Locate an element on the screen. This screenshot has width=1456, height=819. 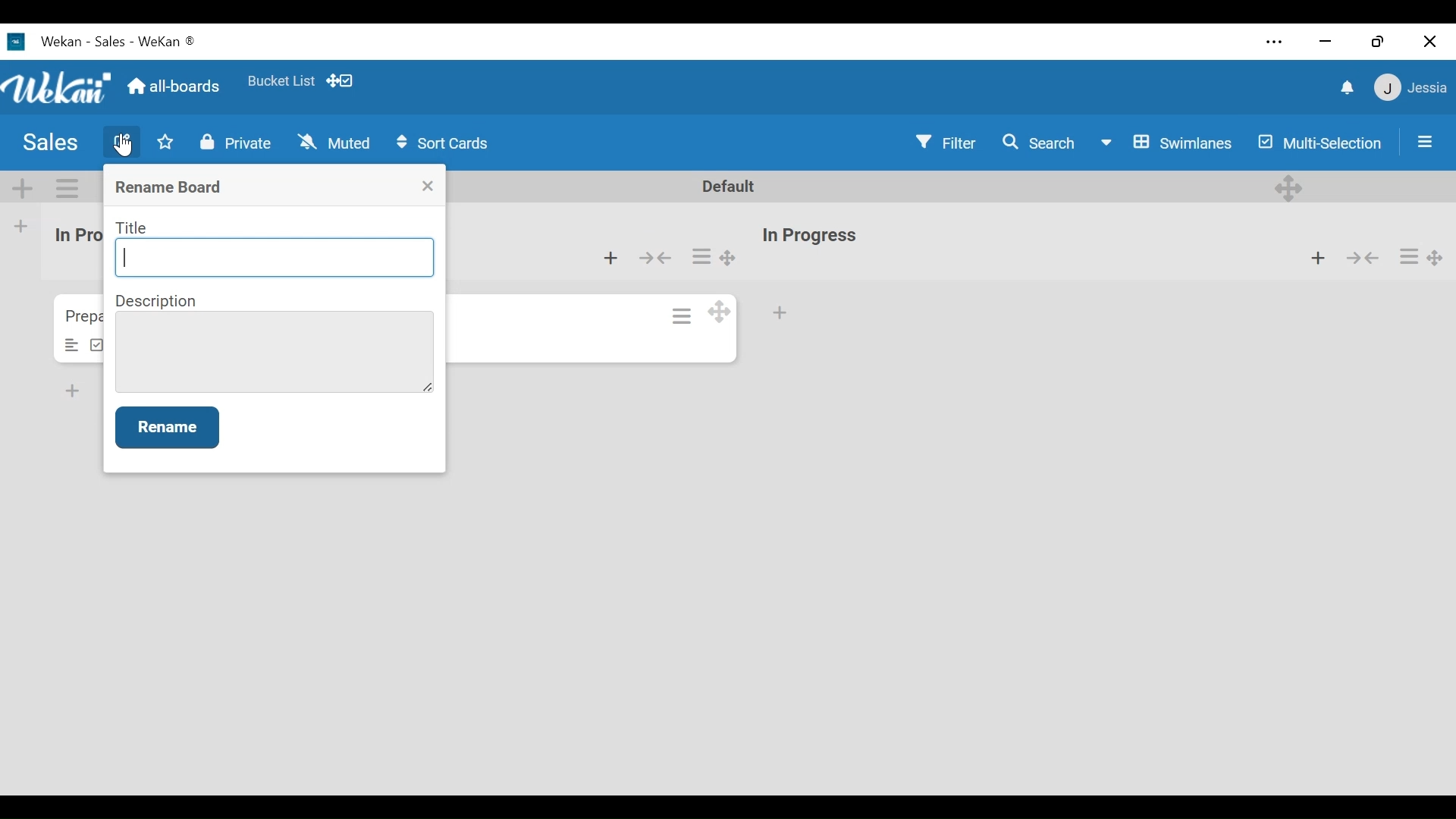
Board Title is located at coordinates (49, 144).